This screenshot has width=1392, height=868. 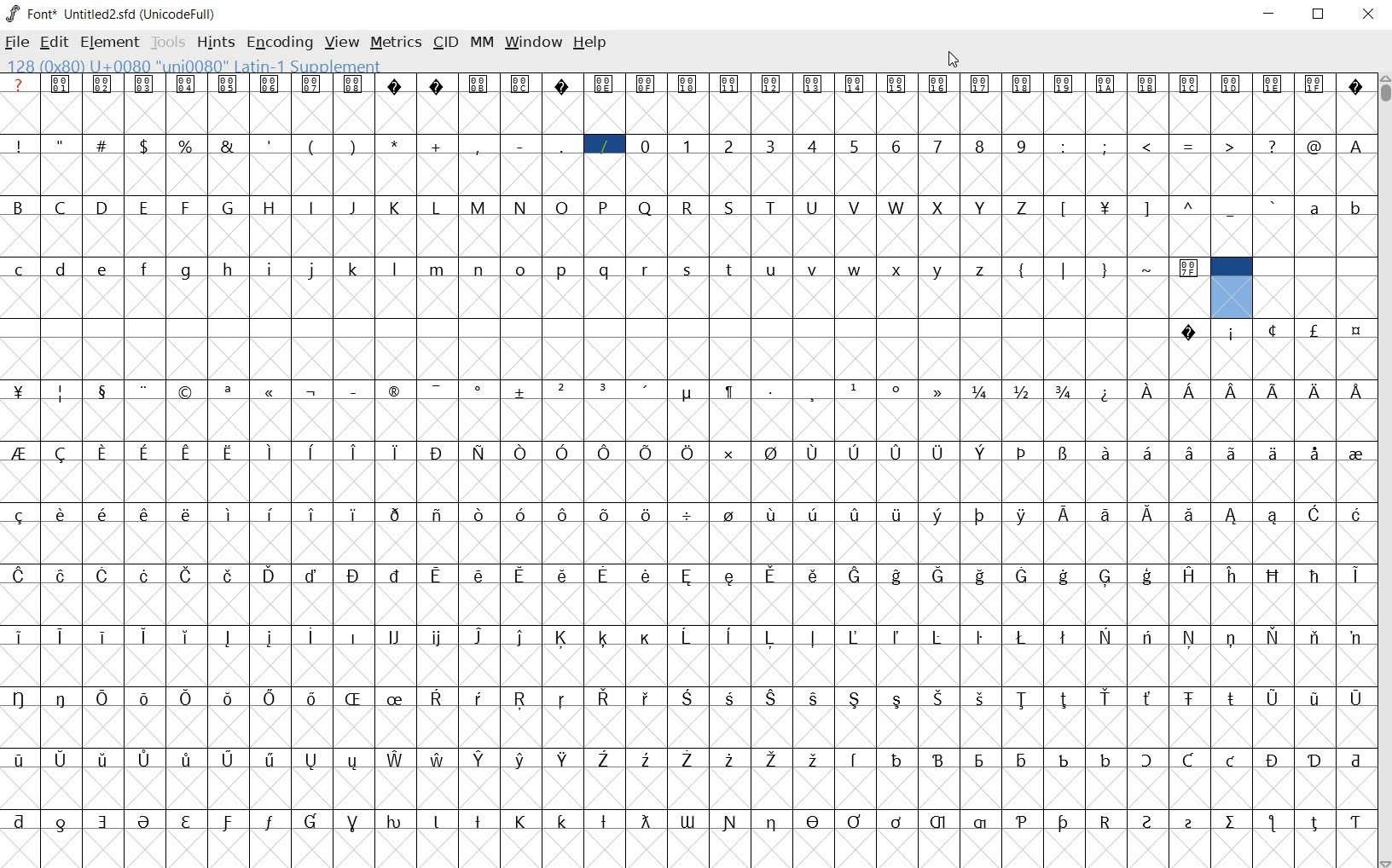 What do you see at coordinates (1149, 266) in the screenshot?
I see `~` at bounding box center [1149, 266].